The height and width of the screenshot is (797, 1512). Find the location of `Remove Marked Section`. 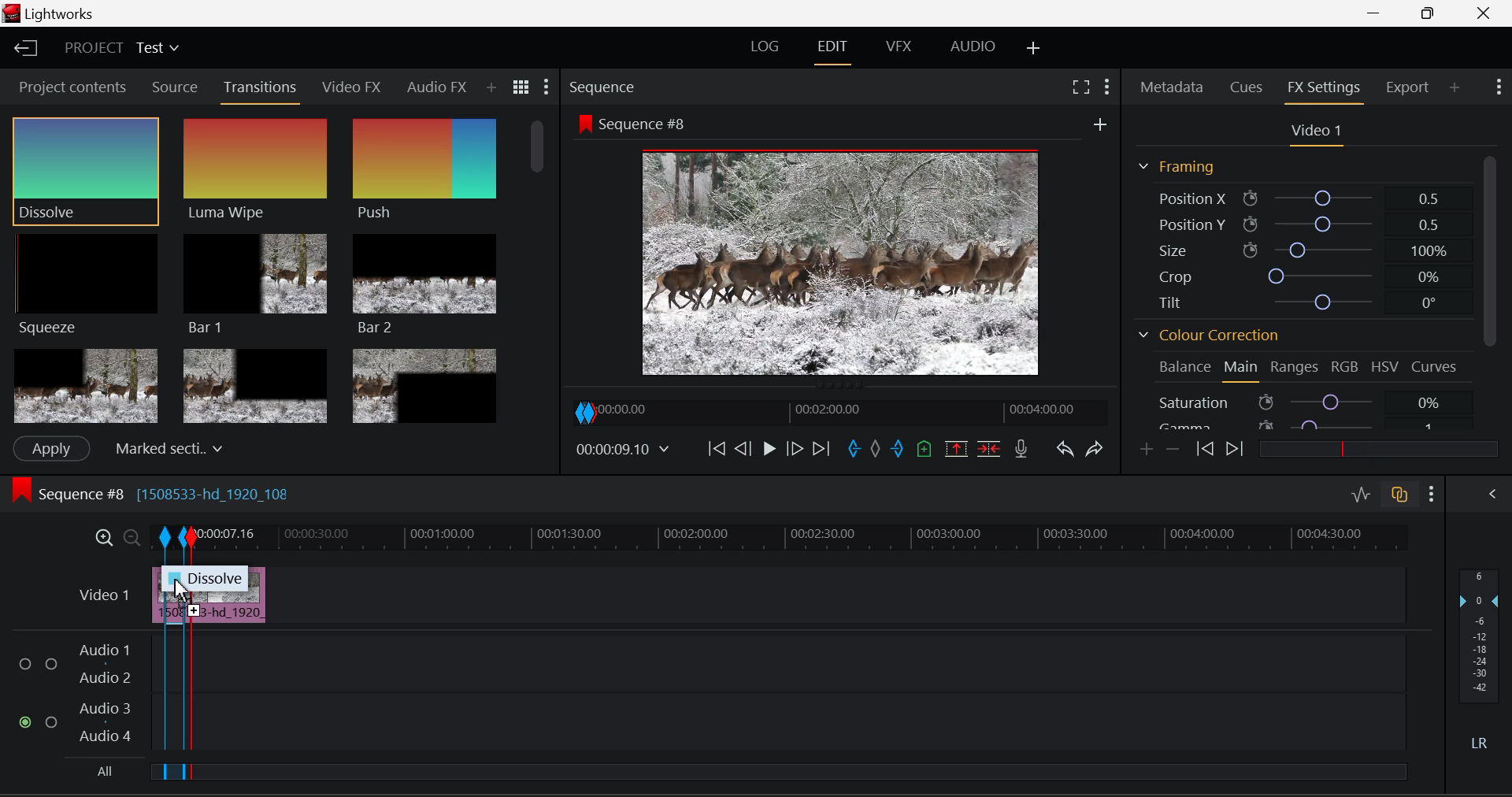

Remove Marked Section is located at coordinates (958, 448).